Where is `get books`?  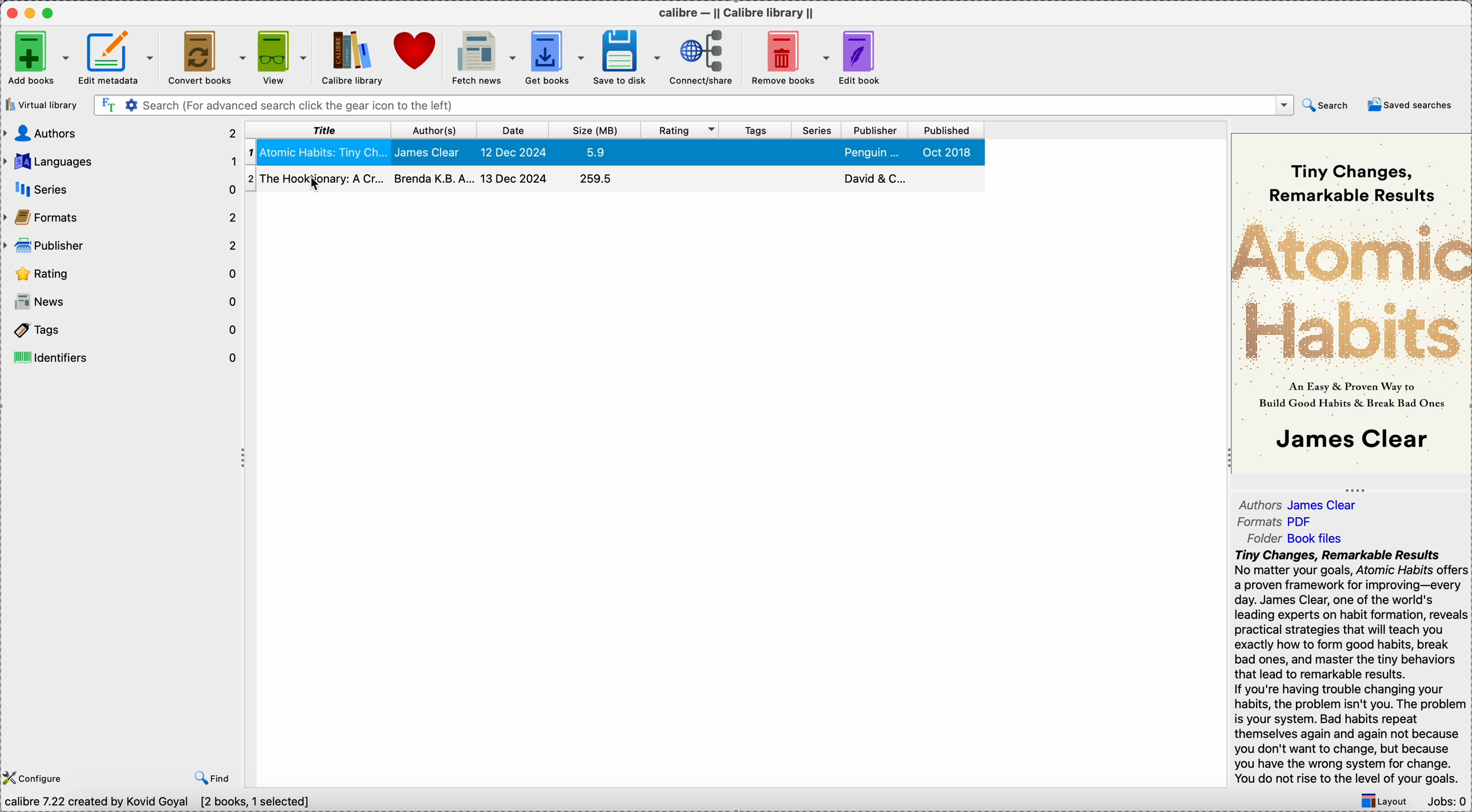
get books is located at coordinates (559, 56).